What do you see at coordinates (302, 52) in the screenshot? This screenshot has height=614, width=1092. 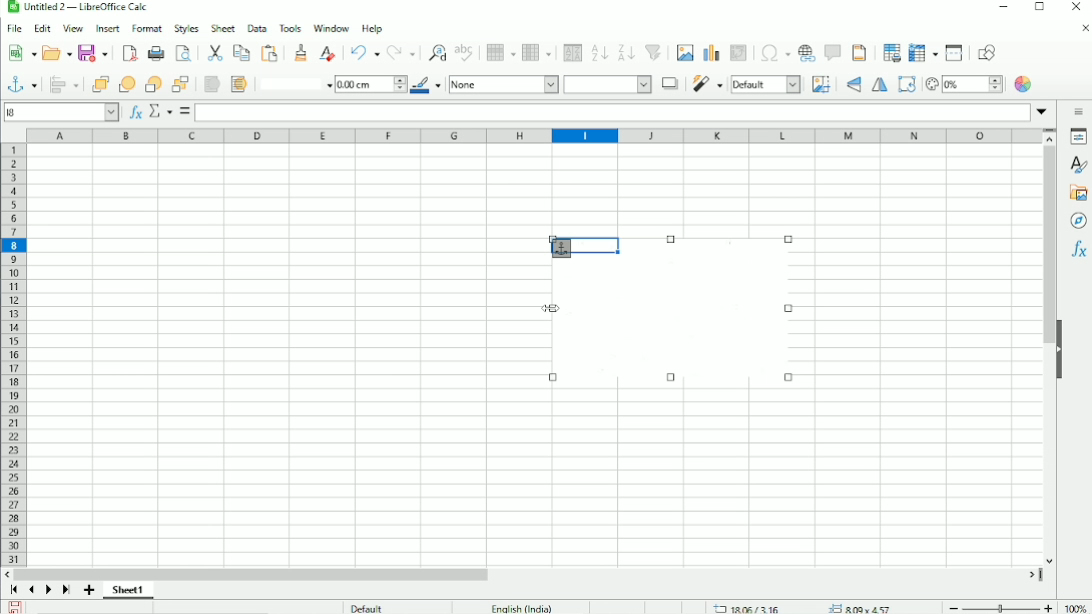 I see `Clone formatting` at bounding box center [302, 52].